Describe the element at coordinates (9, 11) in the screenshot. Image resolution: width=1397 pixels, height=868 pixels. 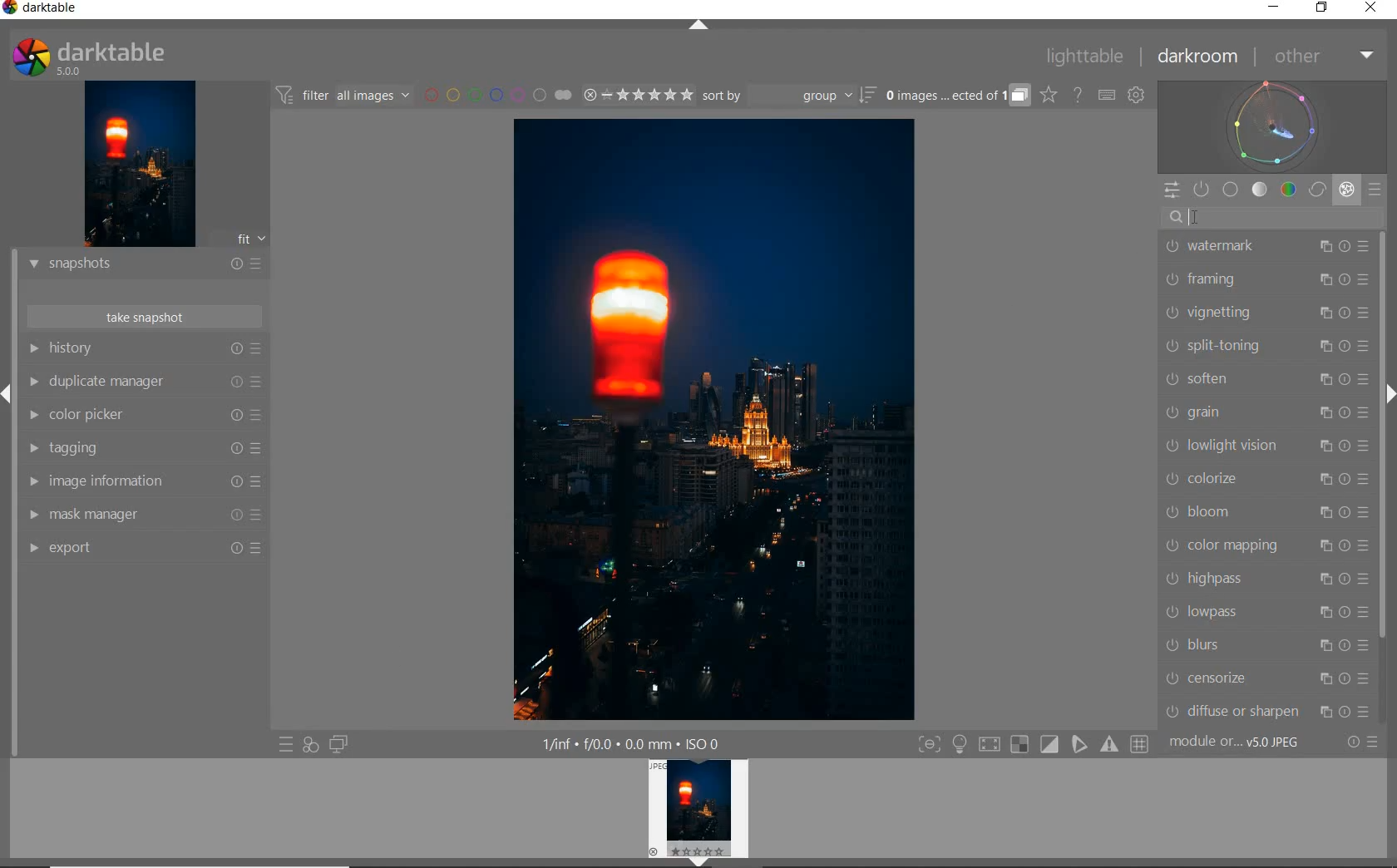
I see `darktable logo` at that location.